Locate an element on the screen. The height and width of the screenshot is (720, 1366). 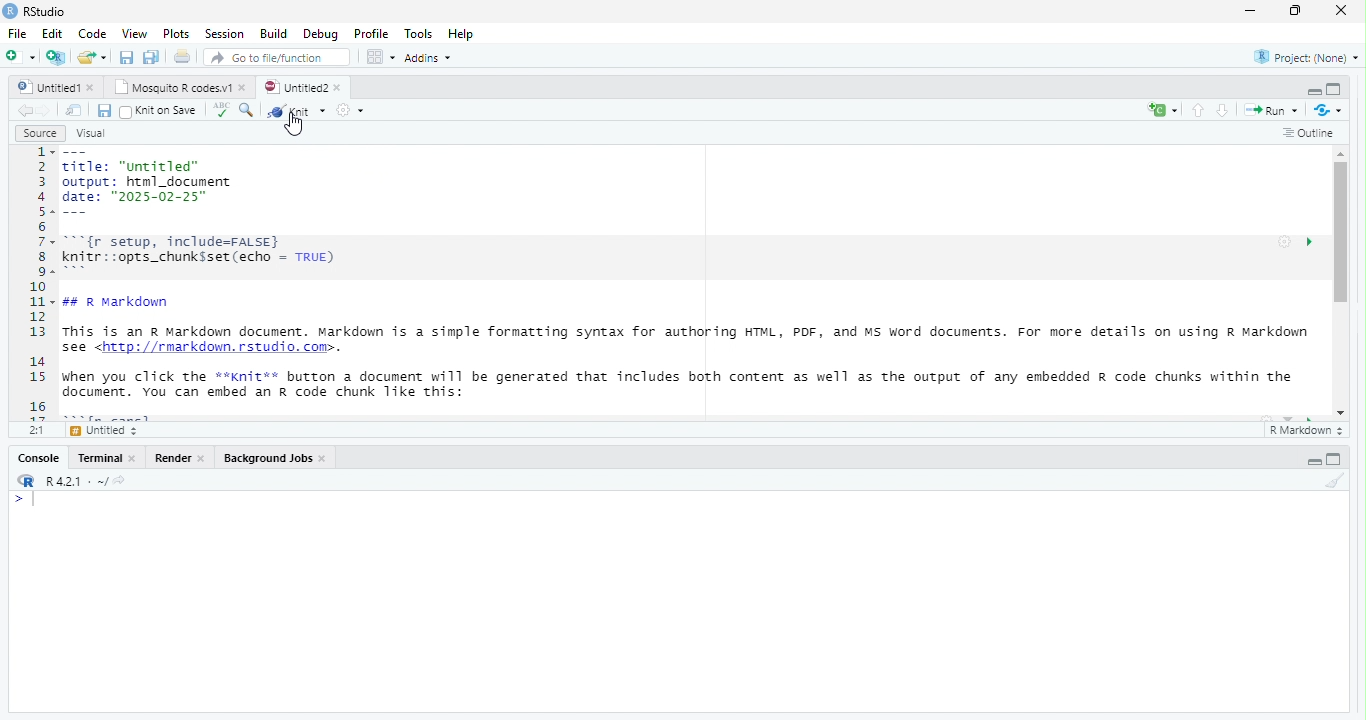
Code is located at coordinates (94, 33).